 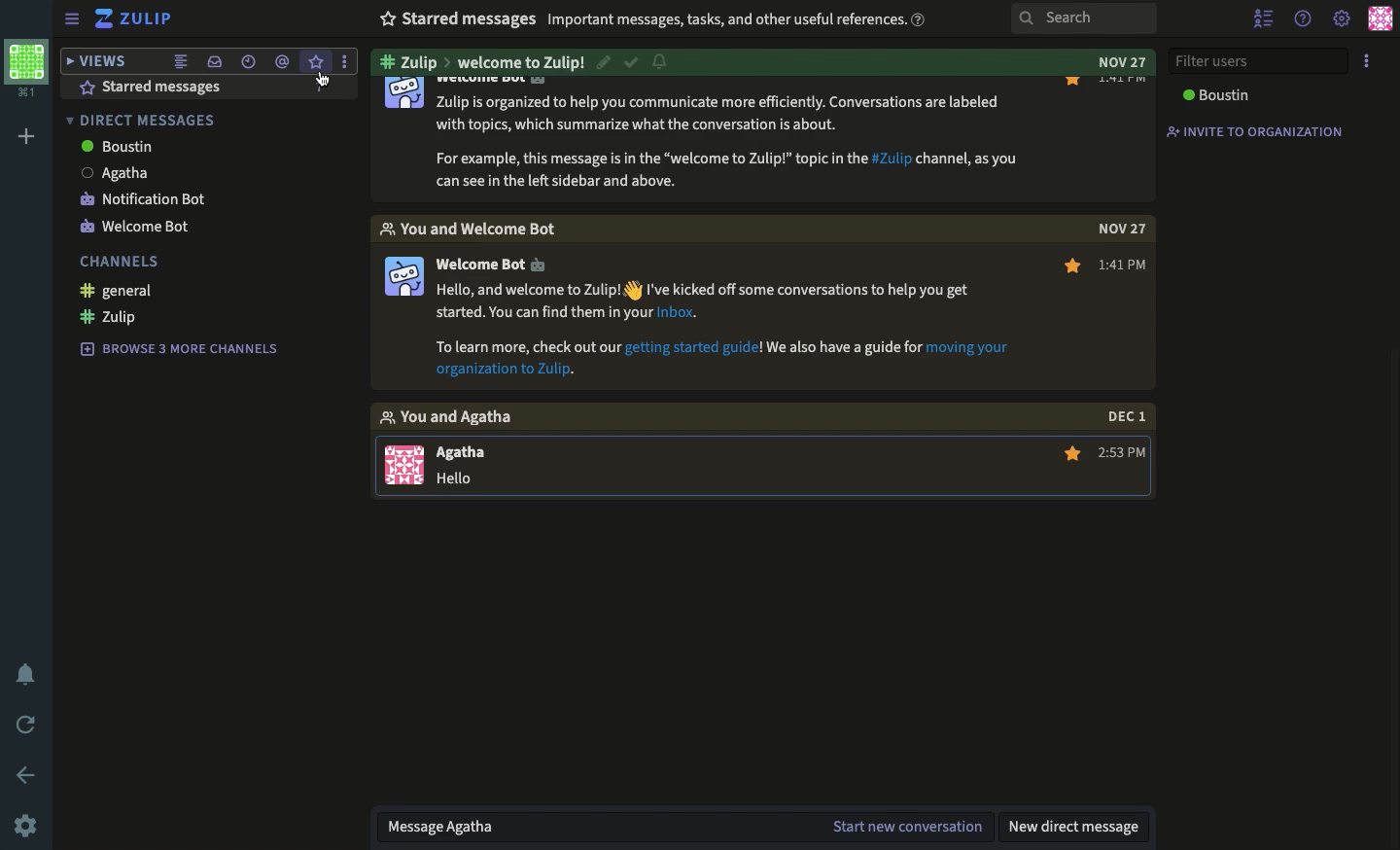 What do you see at coordinates (111, 174) in the screenshot?
I see `agatha` at bounding box center [111, 174].